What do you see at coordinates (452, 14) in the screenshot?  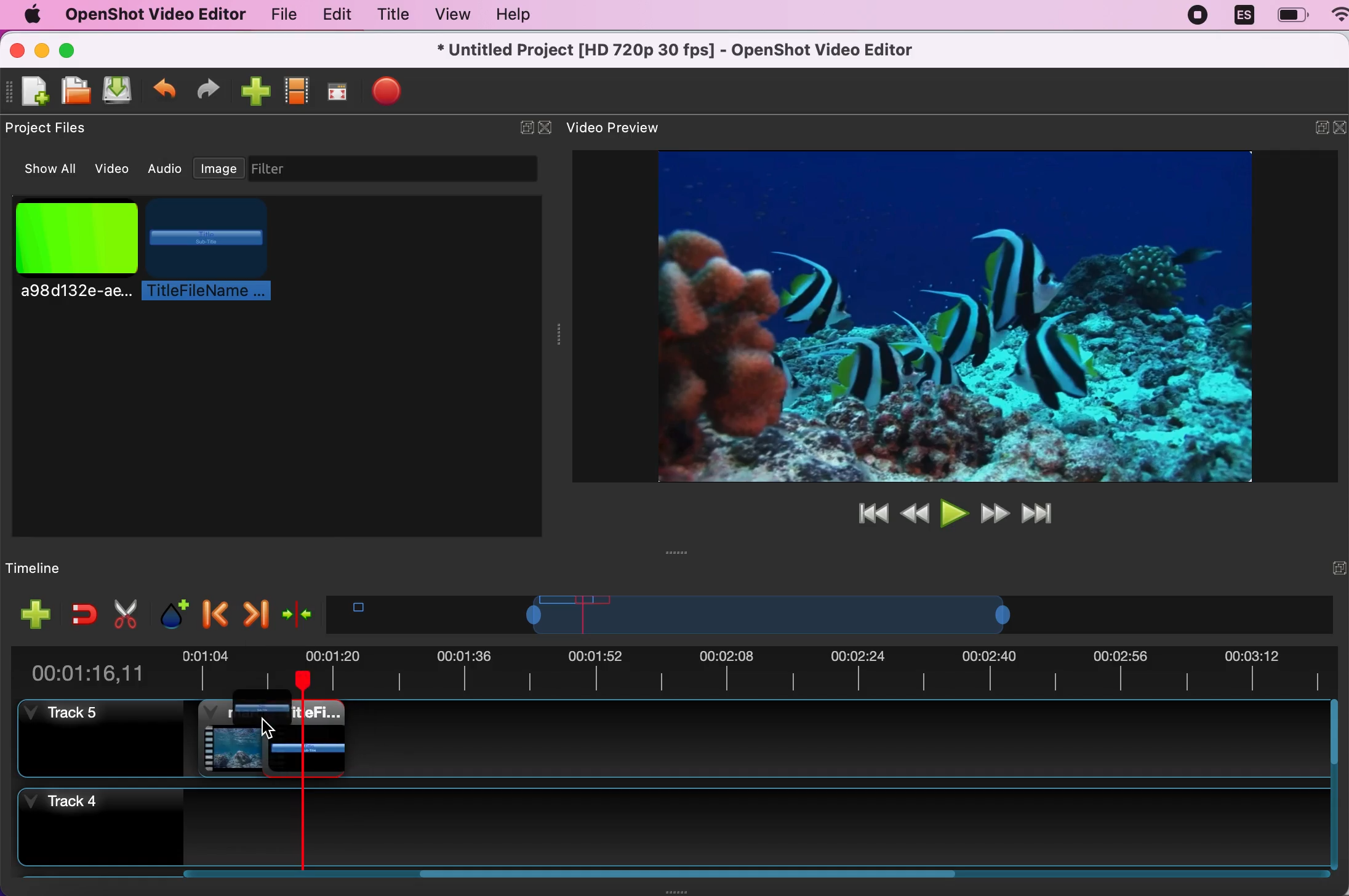 I see `view` at bounding box center [452, 14].